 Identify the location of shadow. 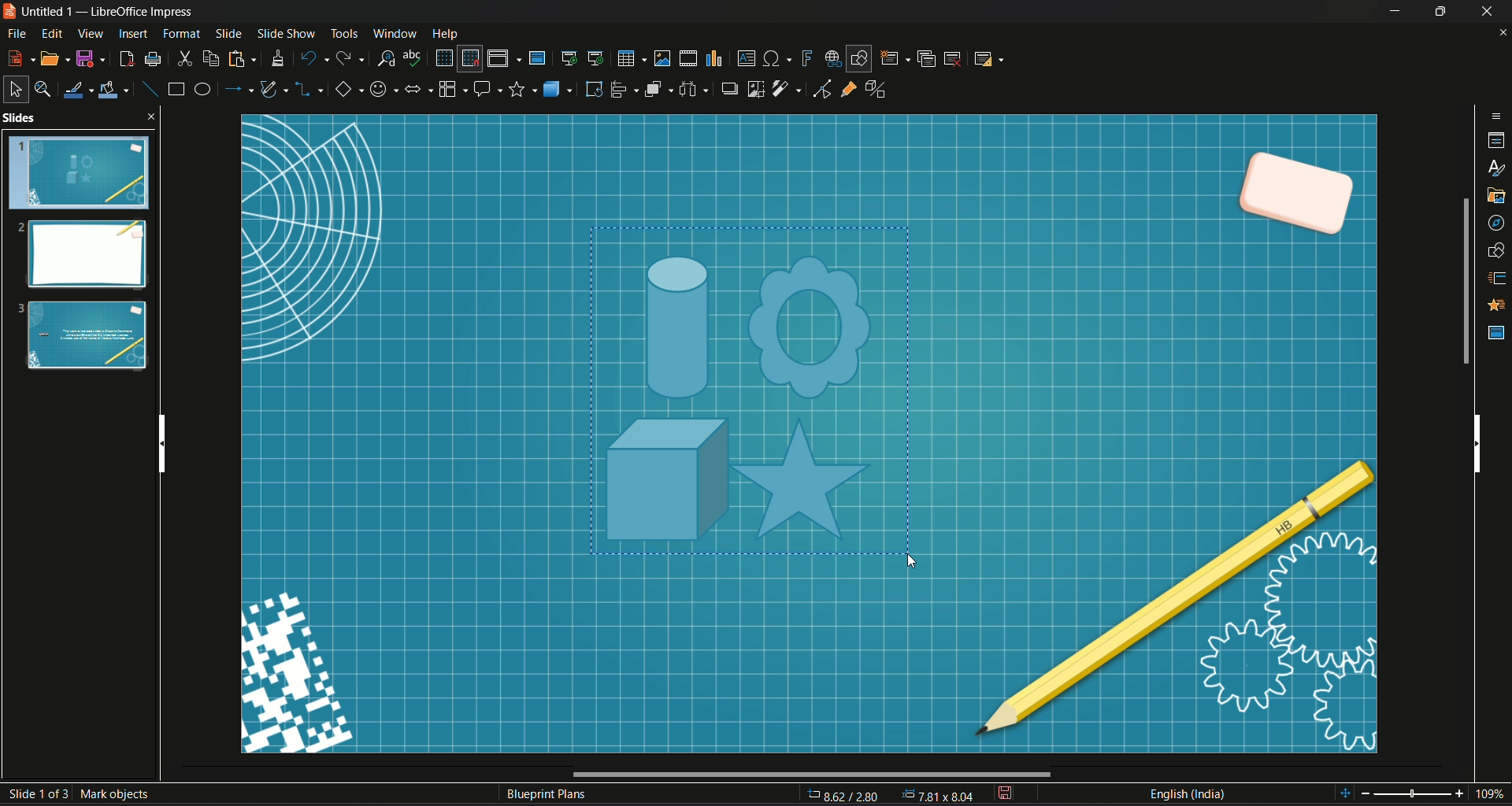
(727, 87).